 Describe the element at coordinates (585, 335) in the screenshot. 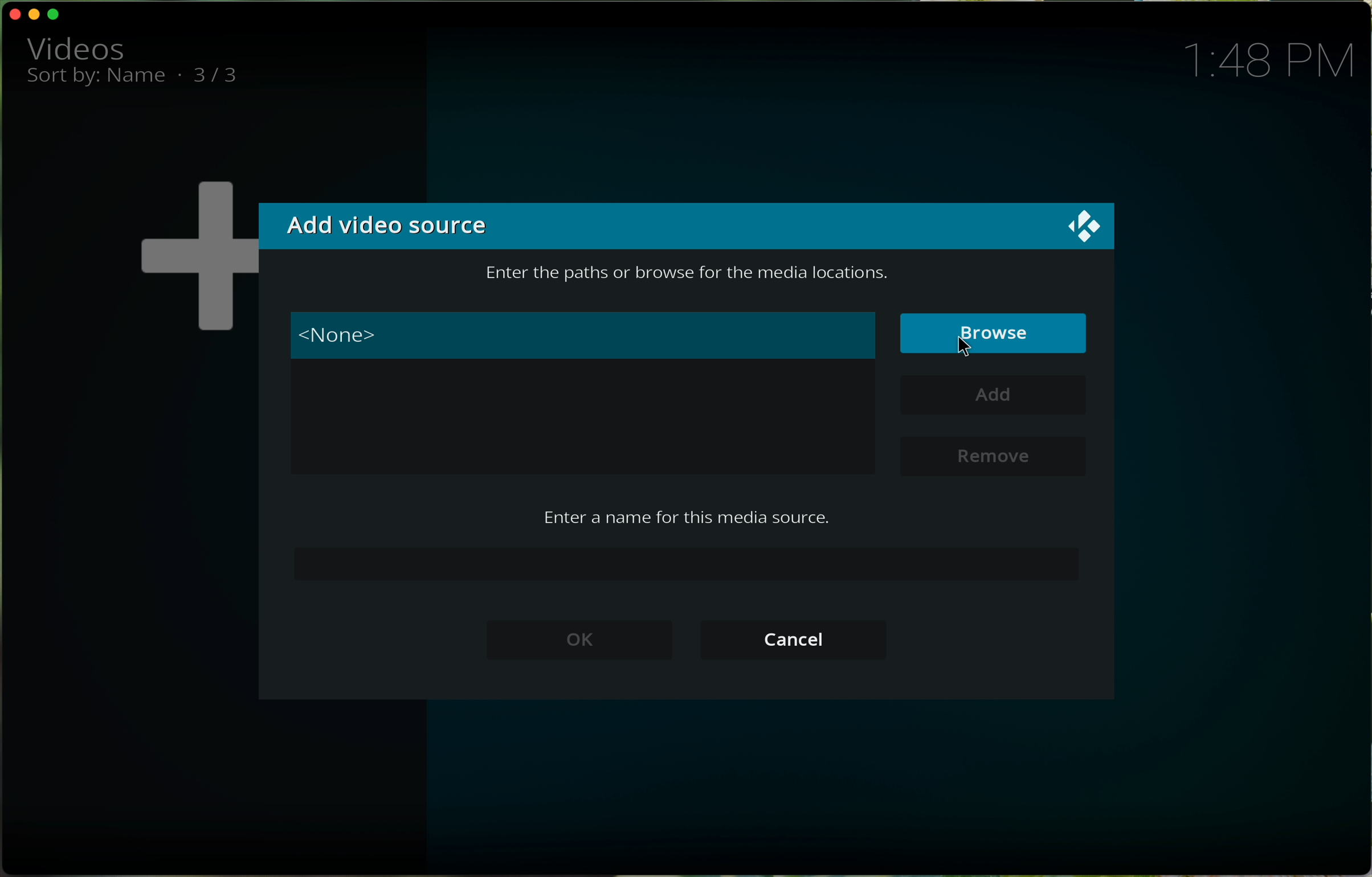

I see `<none>` at that location.